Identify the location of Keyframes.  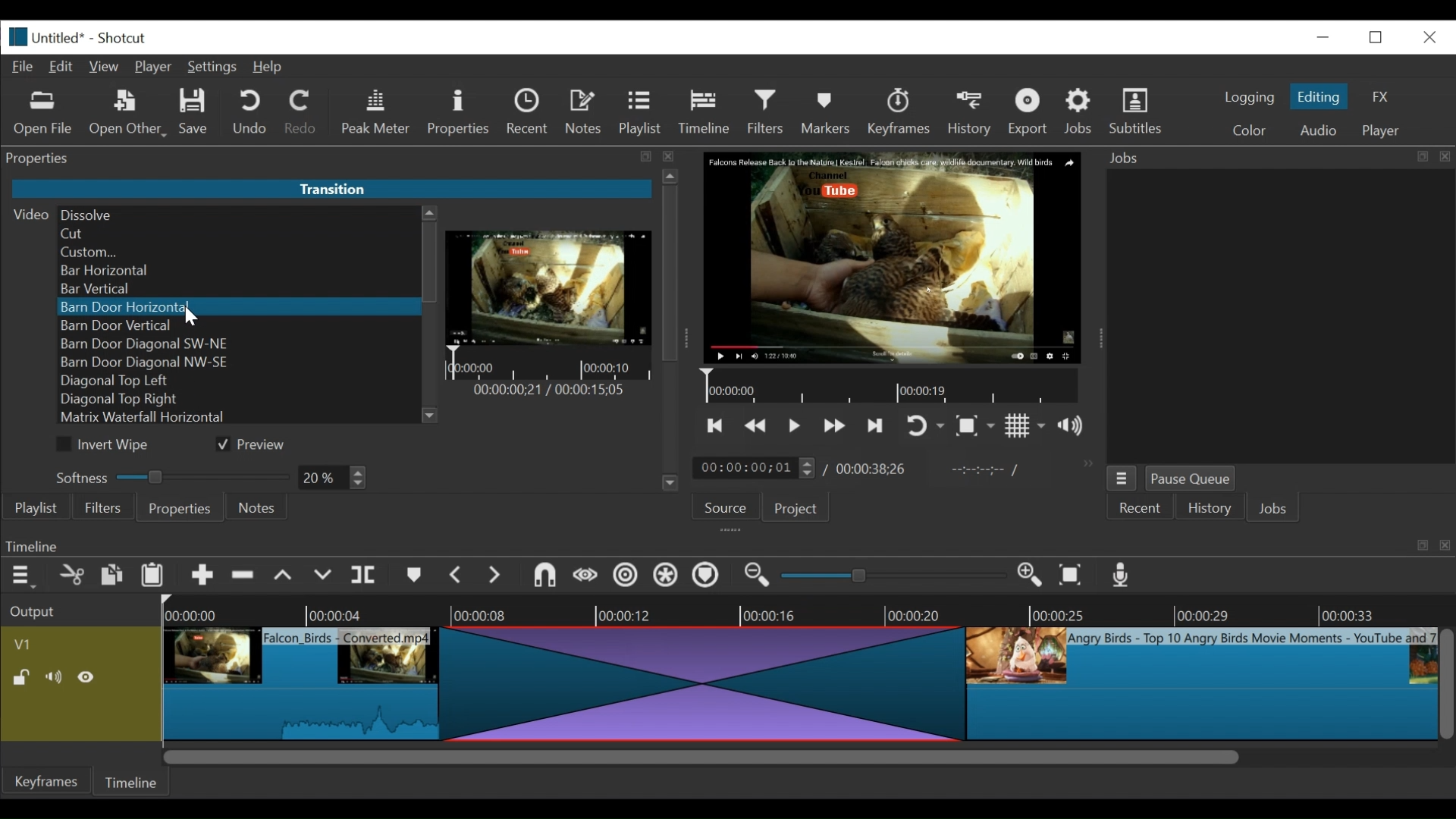
(48, 781).